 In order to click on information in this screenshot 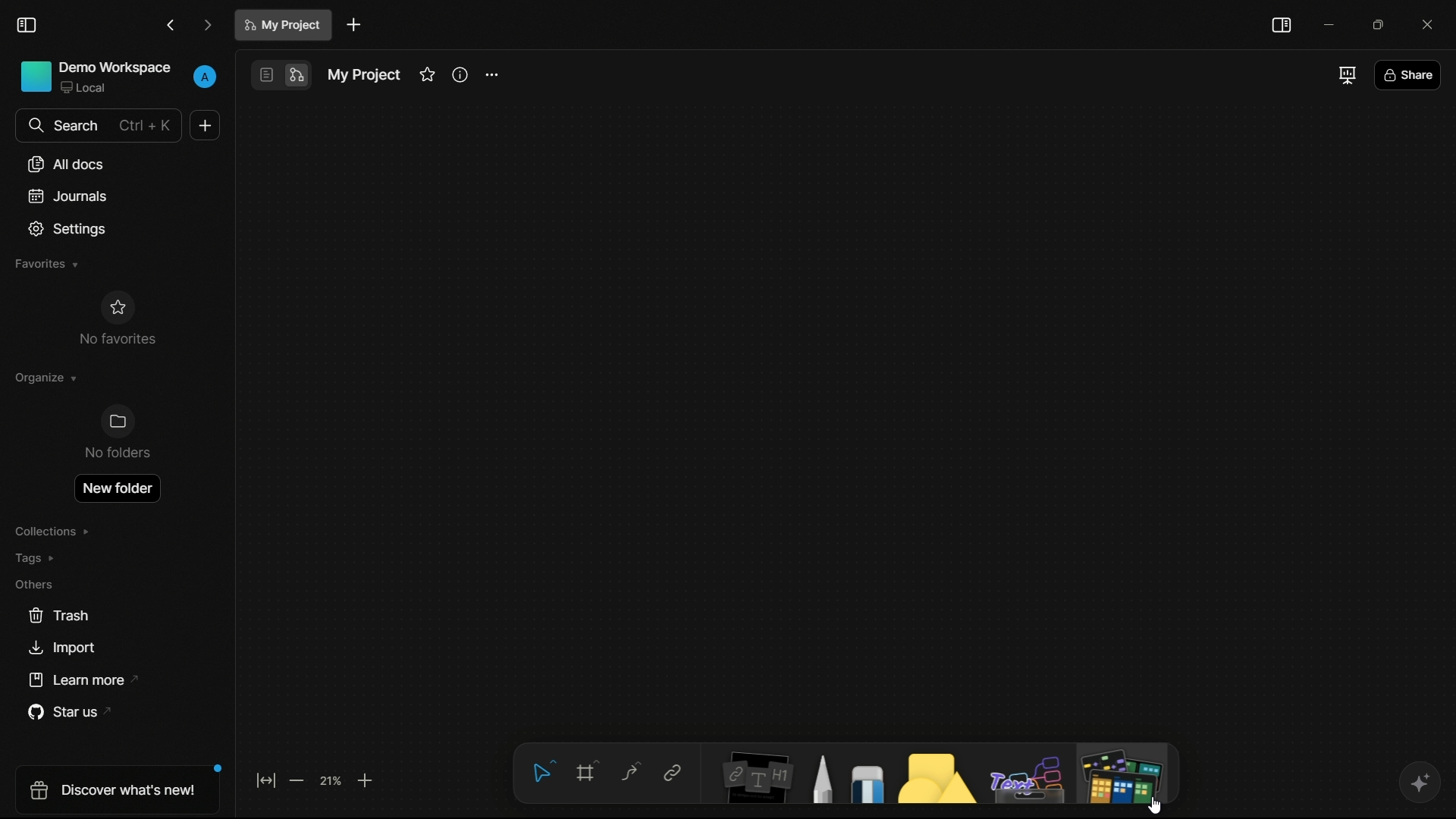, I will do `click(461, 75)`.